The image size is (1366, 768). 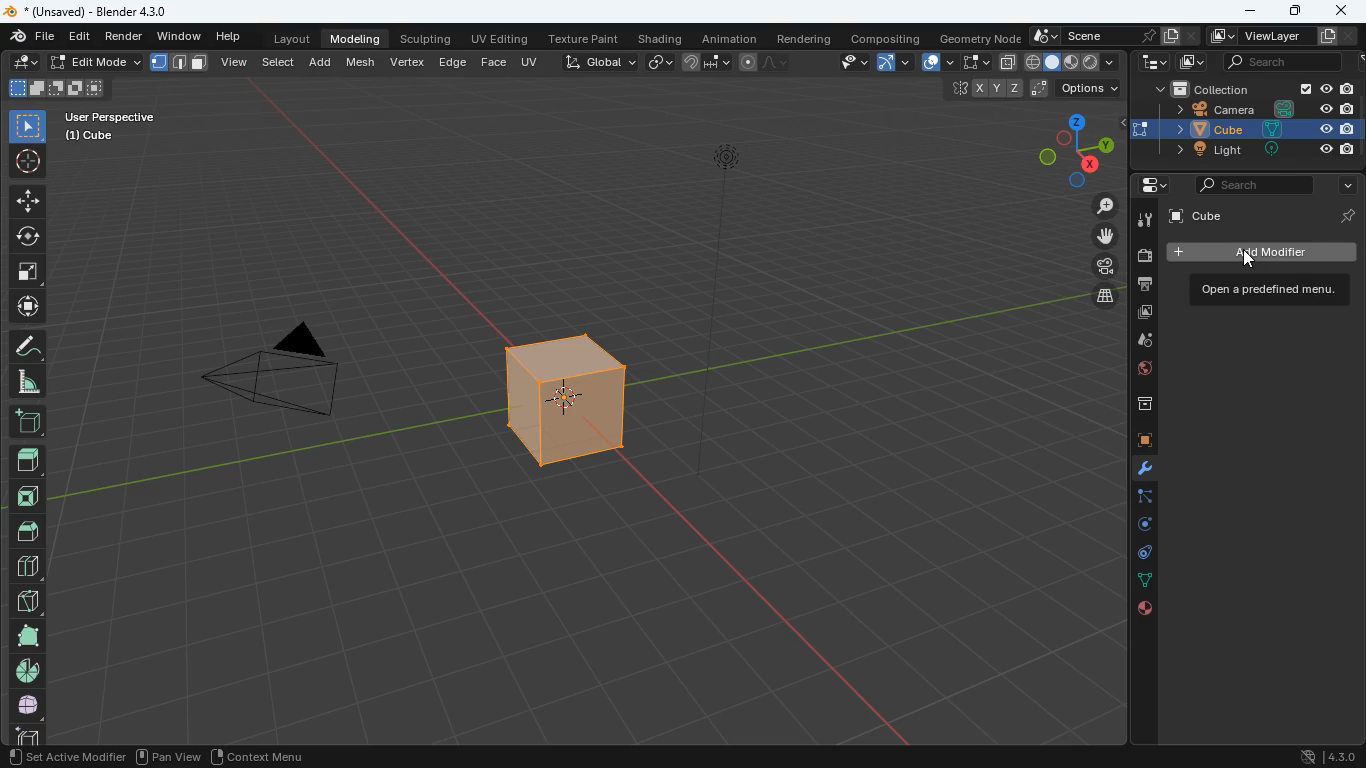 I want to click on drog, so click(x=1137, y=340).